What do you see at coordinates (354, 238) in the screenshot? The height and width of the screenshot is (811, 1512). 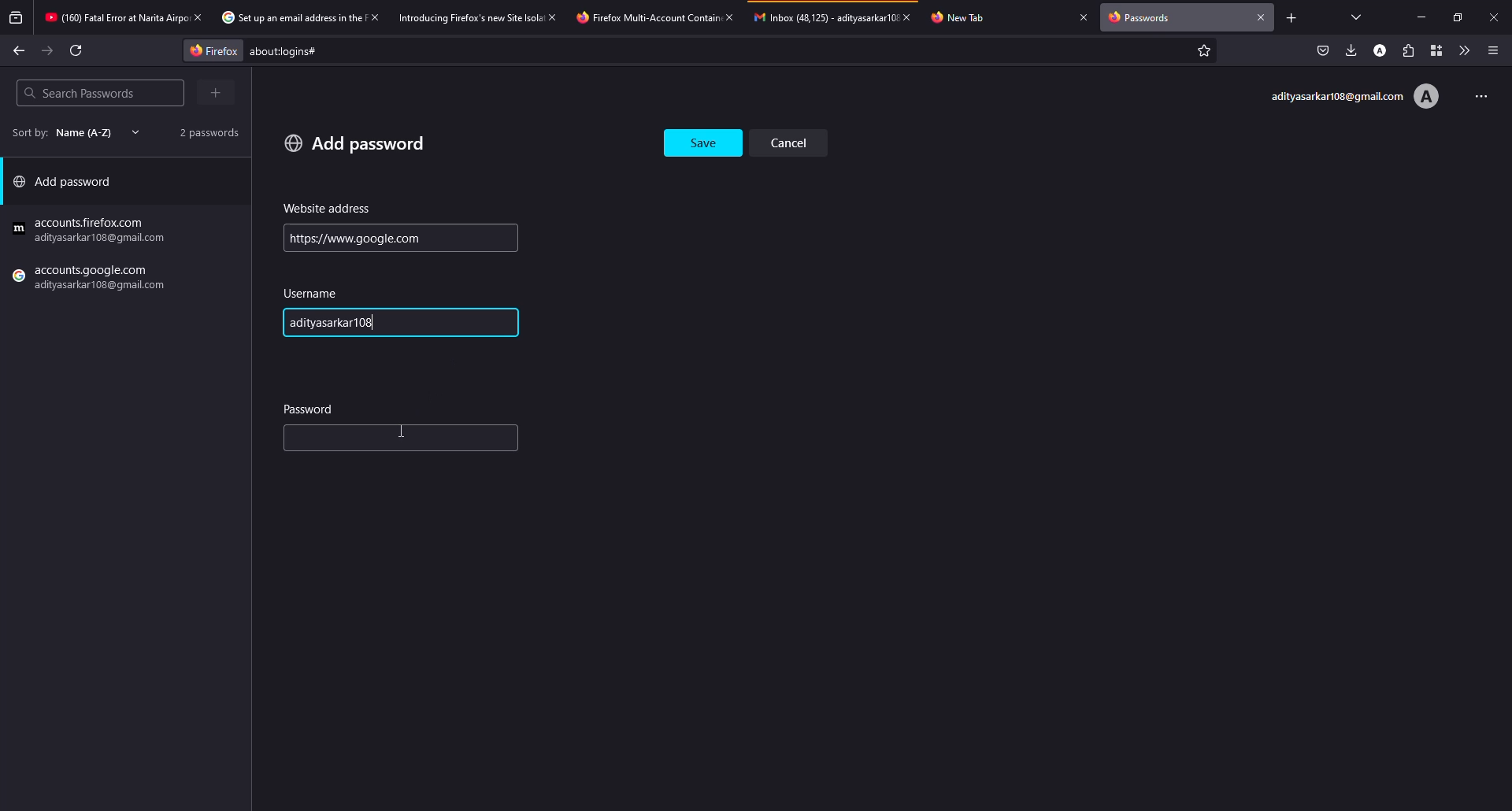 I see `www.google.com` at bounding box center [354, 238].